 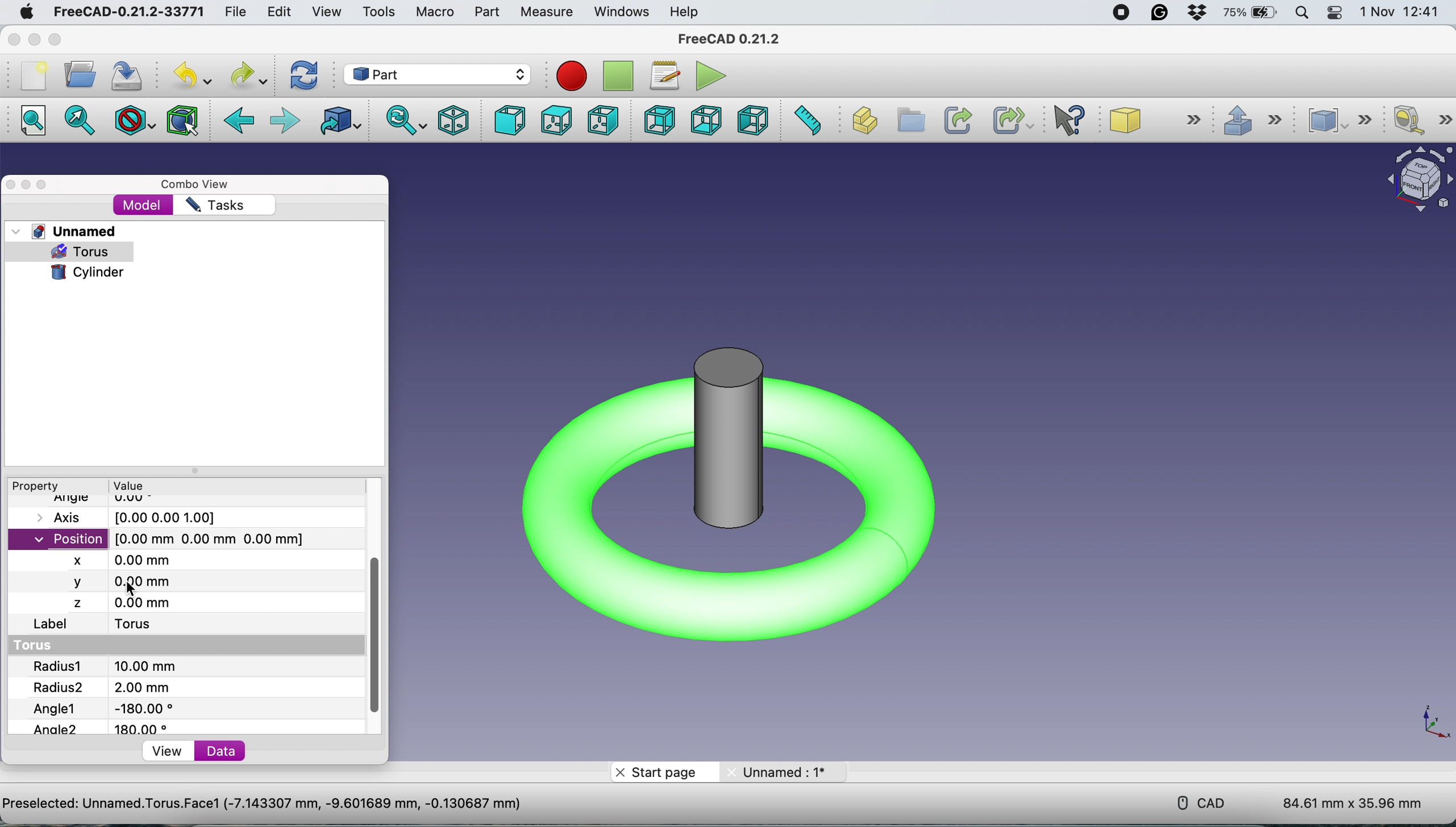 What do you see at coordinates (144, 206) in the screenshot?
I see `model` at bounding box center [144, 206].